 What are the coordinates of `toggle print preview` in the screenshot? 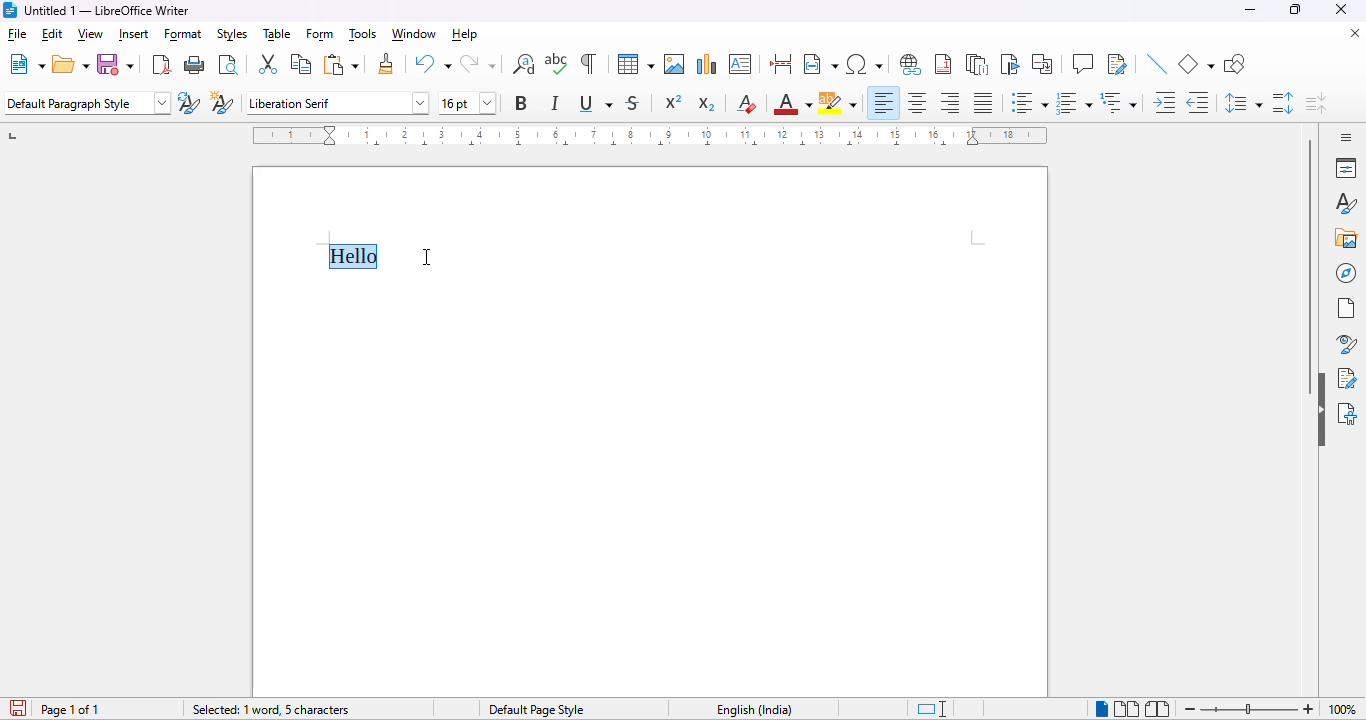 It's located at (230, 64).